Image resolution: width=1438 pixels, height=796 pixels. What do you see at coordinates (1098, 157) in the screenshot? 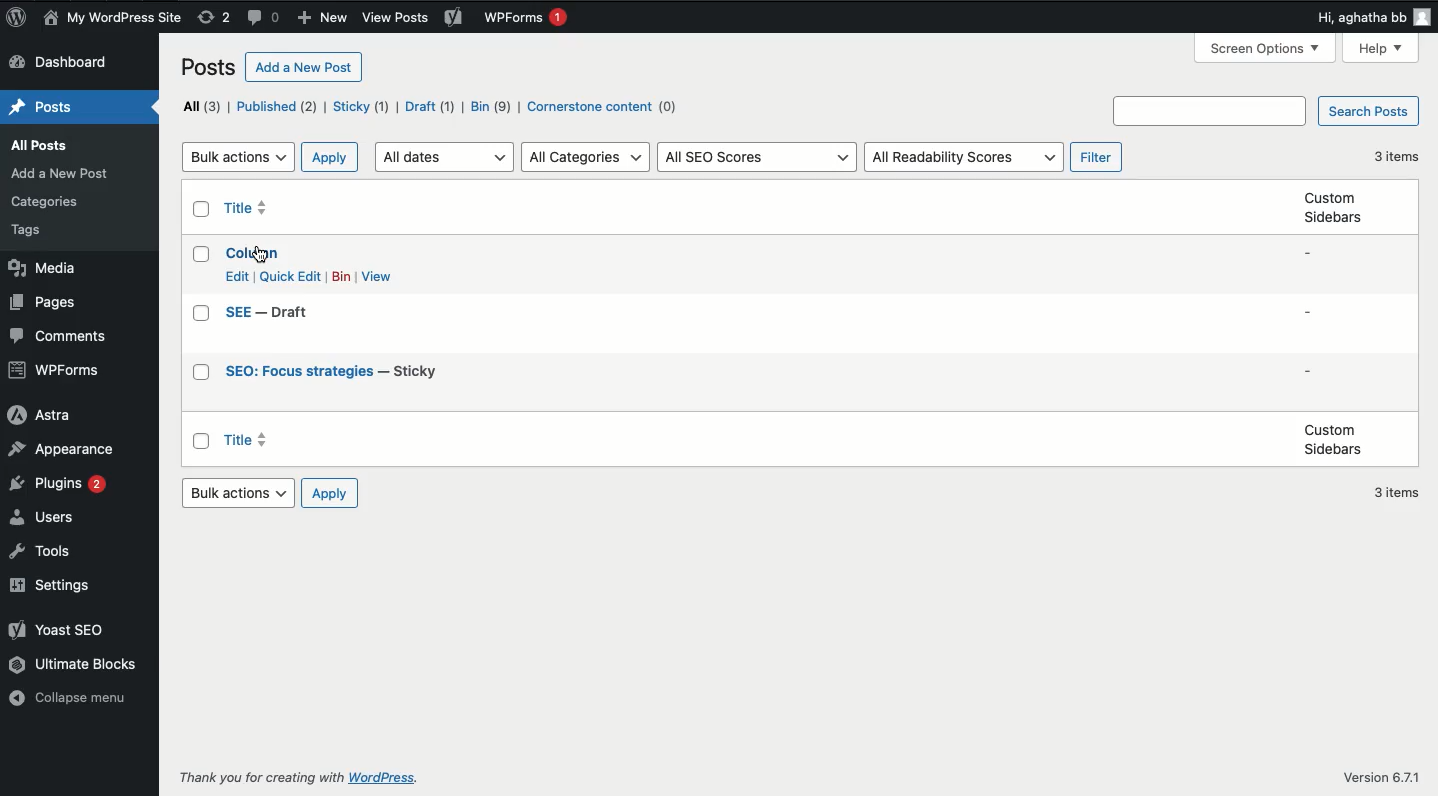
I see `Filter` at bounding box center [1098, 157].